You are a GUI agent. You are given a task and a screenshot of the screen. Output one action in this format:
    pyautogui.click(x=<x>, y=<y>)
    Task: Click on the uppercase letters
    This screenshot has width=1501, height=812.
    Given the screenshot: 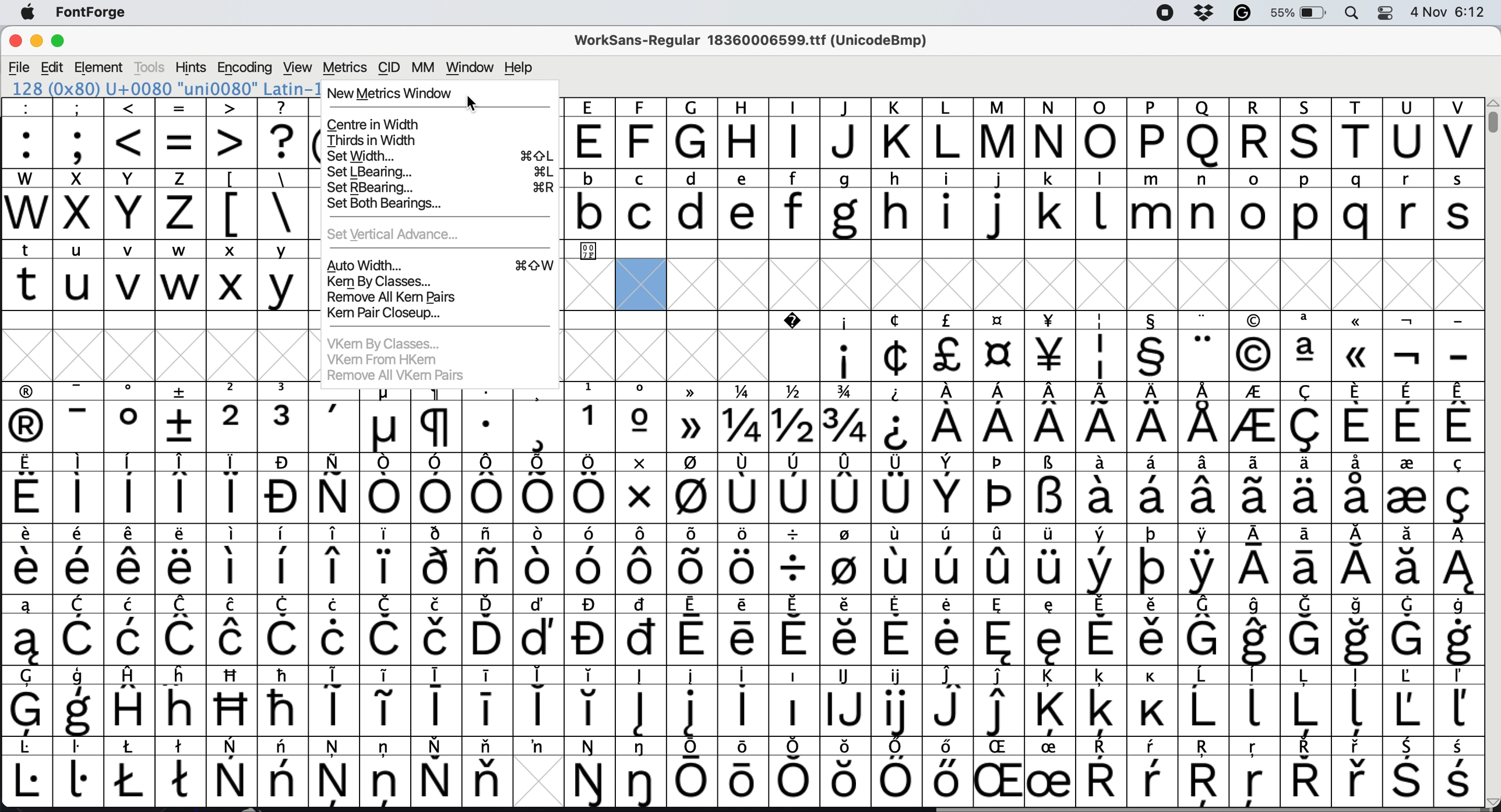 What is the action you would take?
    pyautogui.click(x=1018, y=140)
    